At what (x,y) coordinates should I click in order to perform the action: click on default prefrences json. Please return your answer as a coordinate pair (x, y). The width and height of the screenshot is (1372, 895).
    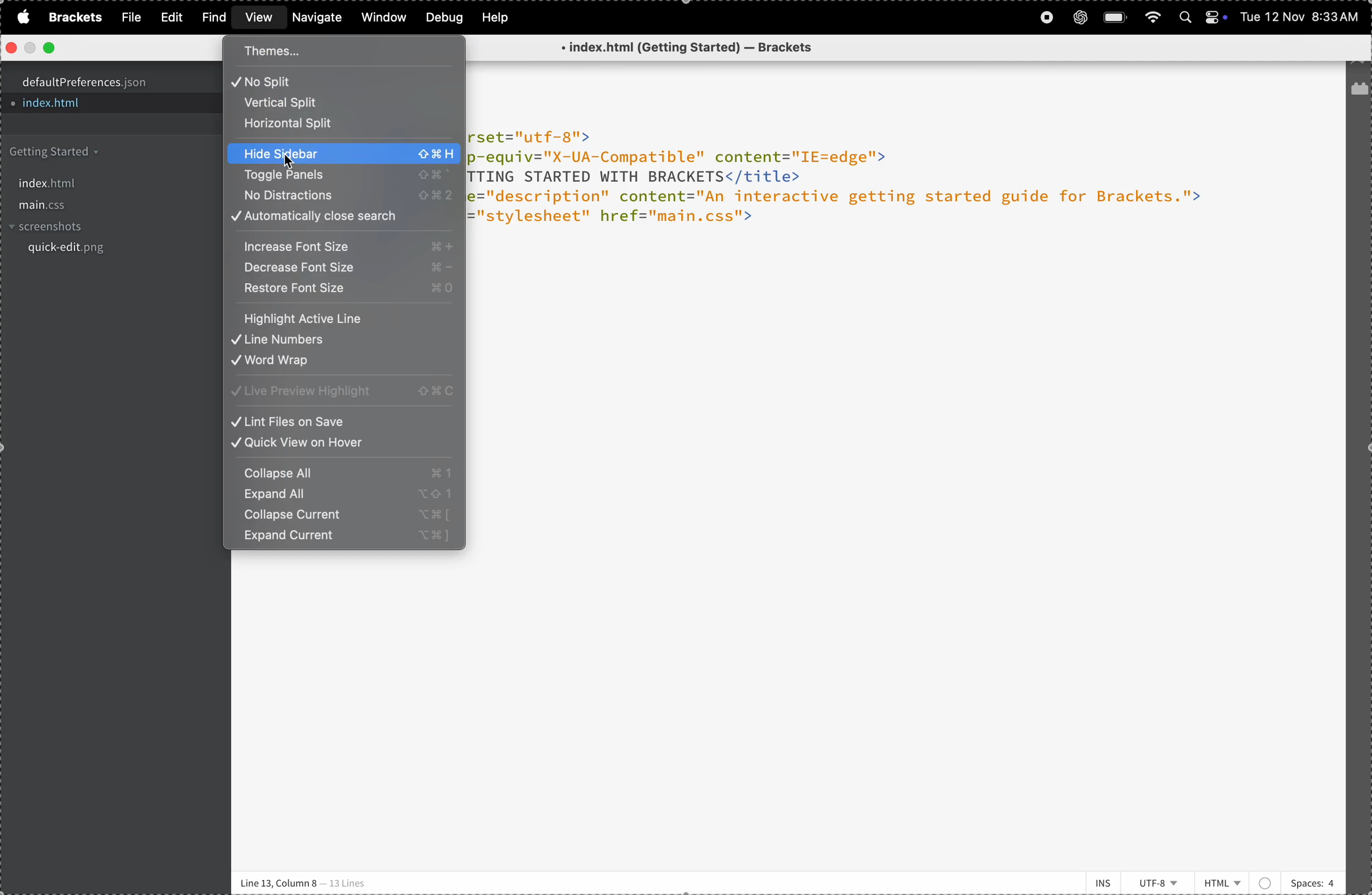
    Looking at the image, I should click on (100, 82).